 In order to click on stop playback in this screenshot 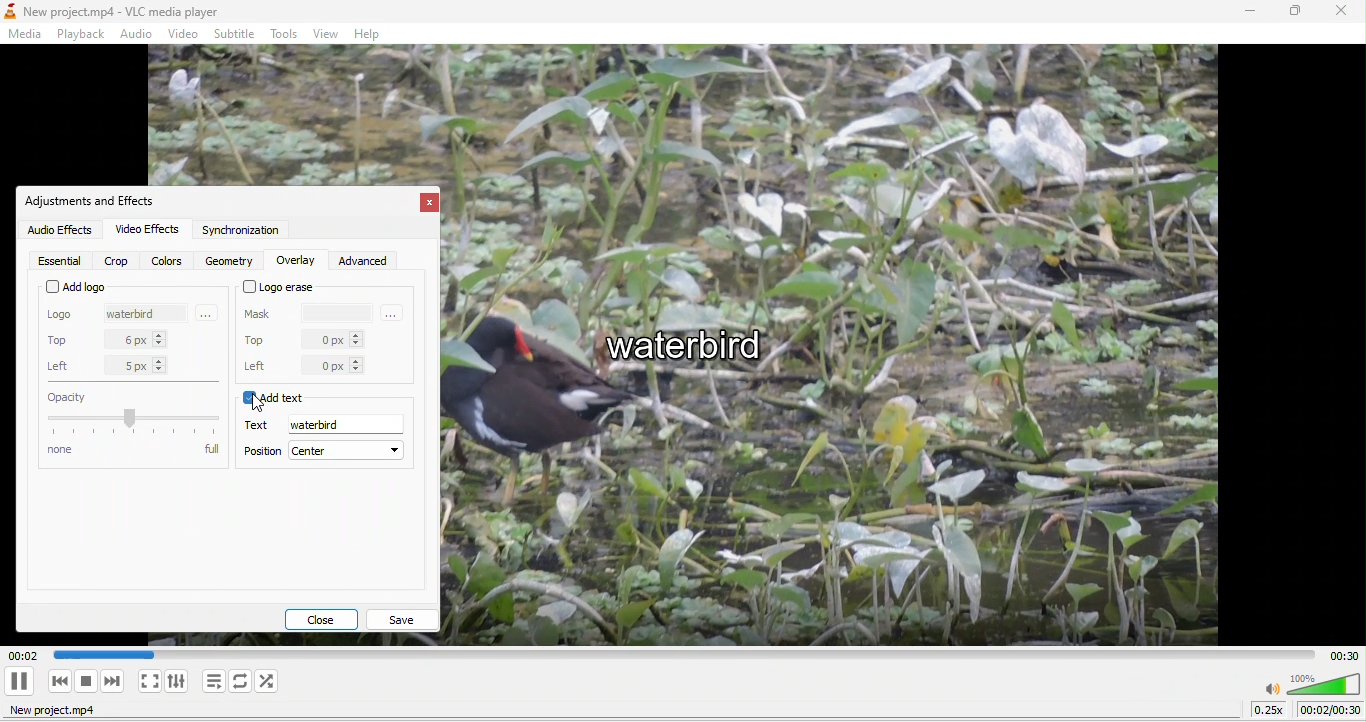, I will do `click(87, 682)`.